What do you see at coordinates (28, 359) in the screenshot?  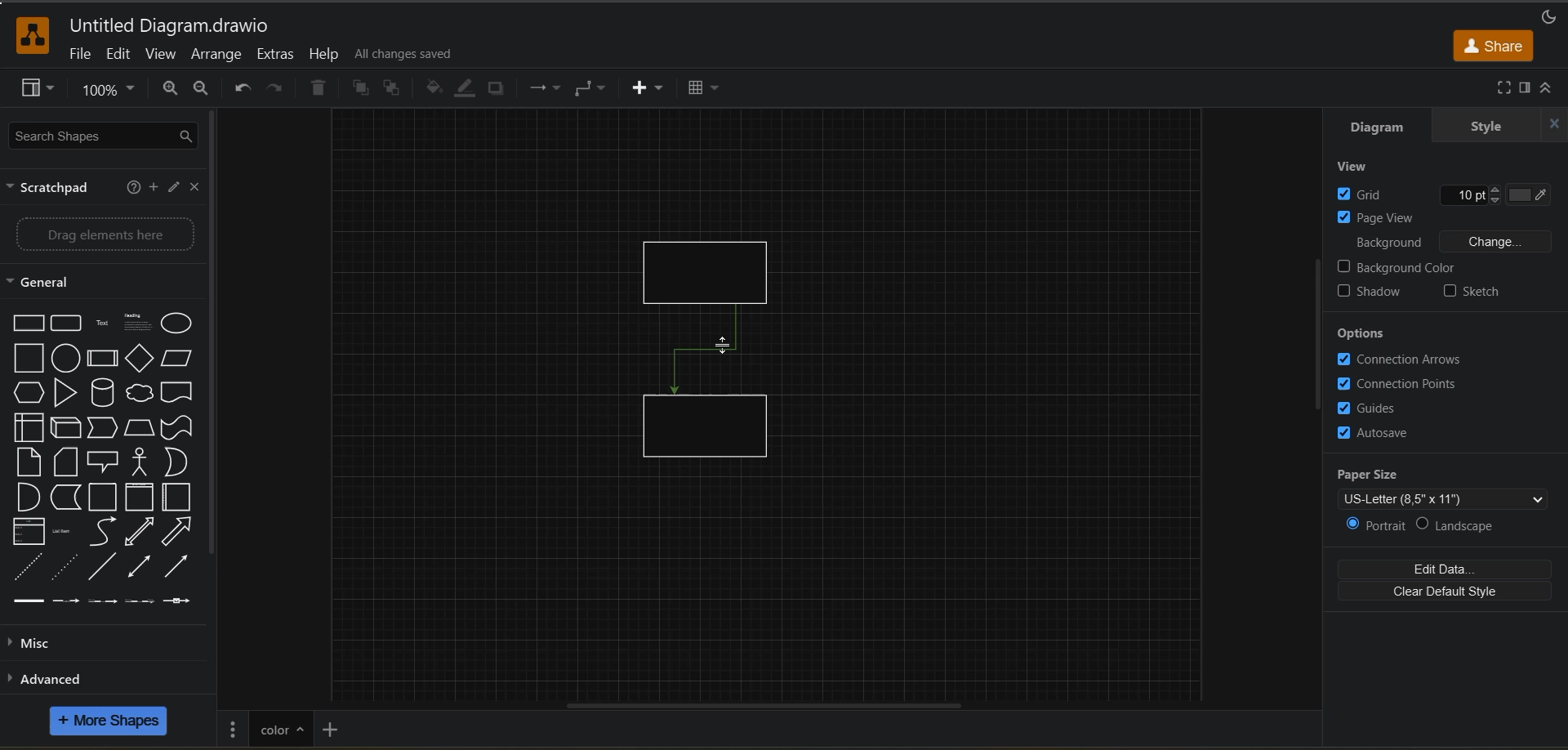 I see `Square` at bounding box center [28, 359].